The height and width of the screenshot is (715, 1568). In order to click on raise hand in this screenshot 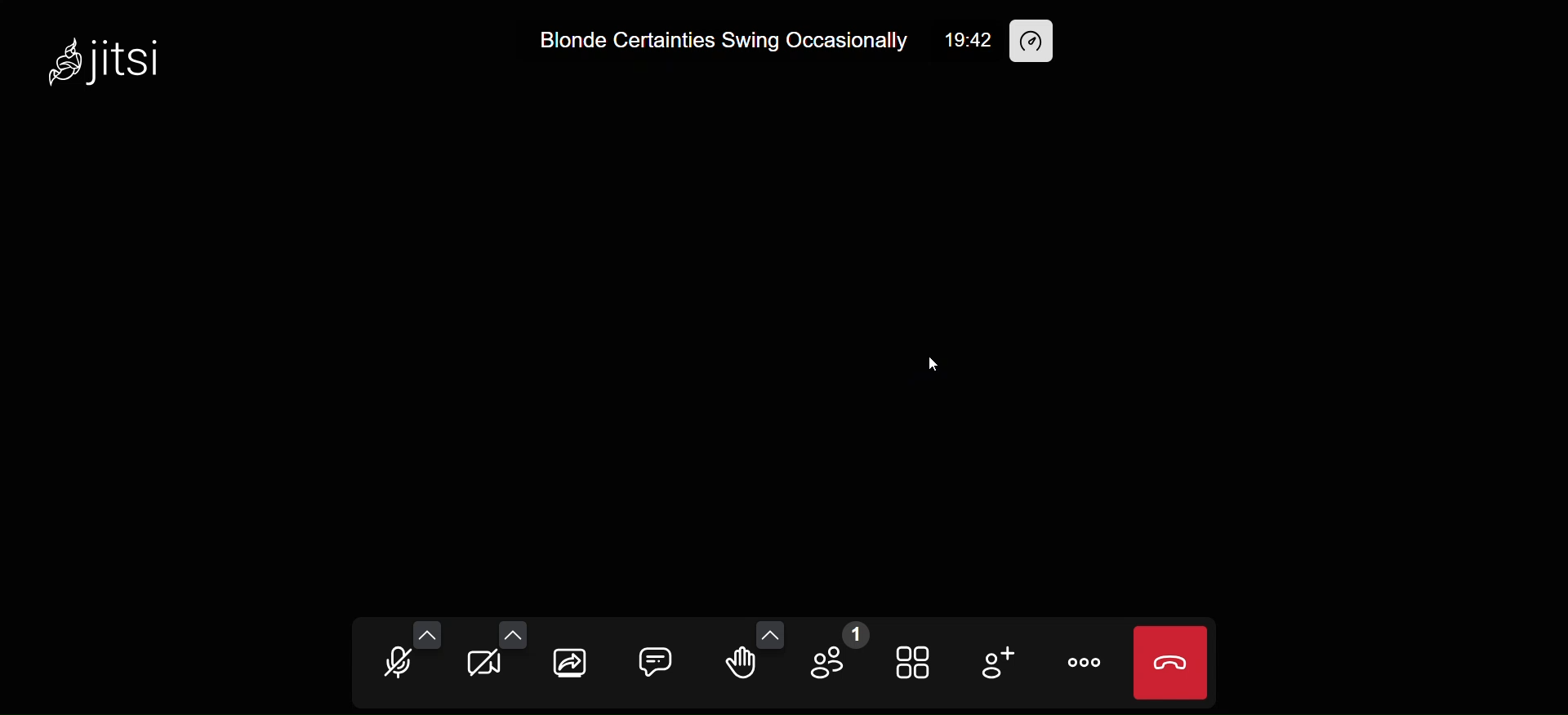, I will do `click(740, 662)`.